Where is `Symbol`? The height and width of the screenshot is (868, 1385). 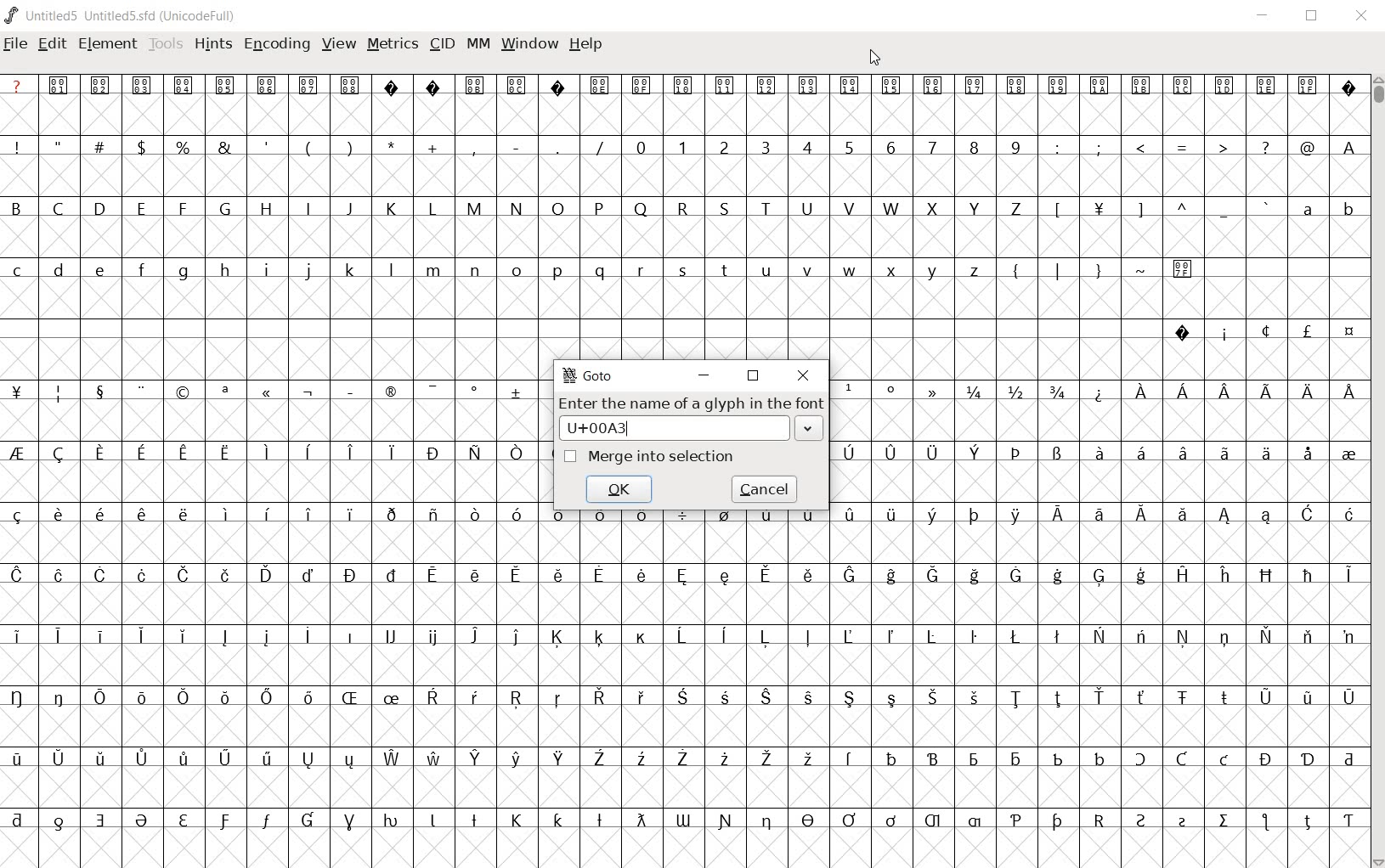
Symbol is located at coordinates (1057, 516).